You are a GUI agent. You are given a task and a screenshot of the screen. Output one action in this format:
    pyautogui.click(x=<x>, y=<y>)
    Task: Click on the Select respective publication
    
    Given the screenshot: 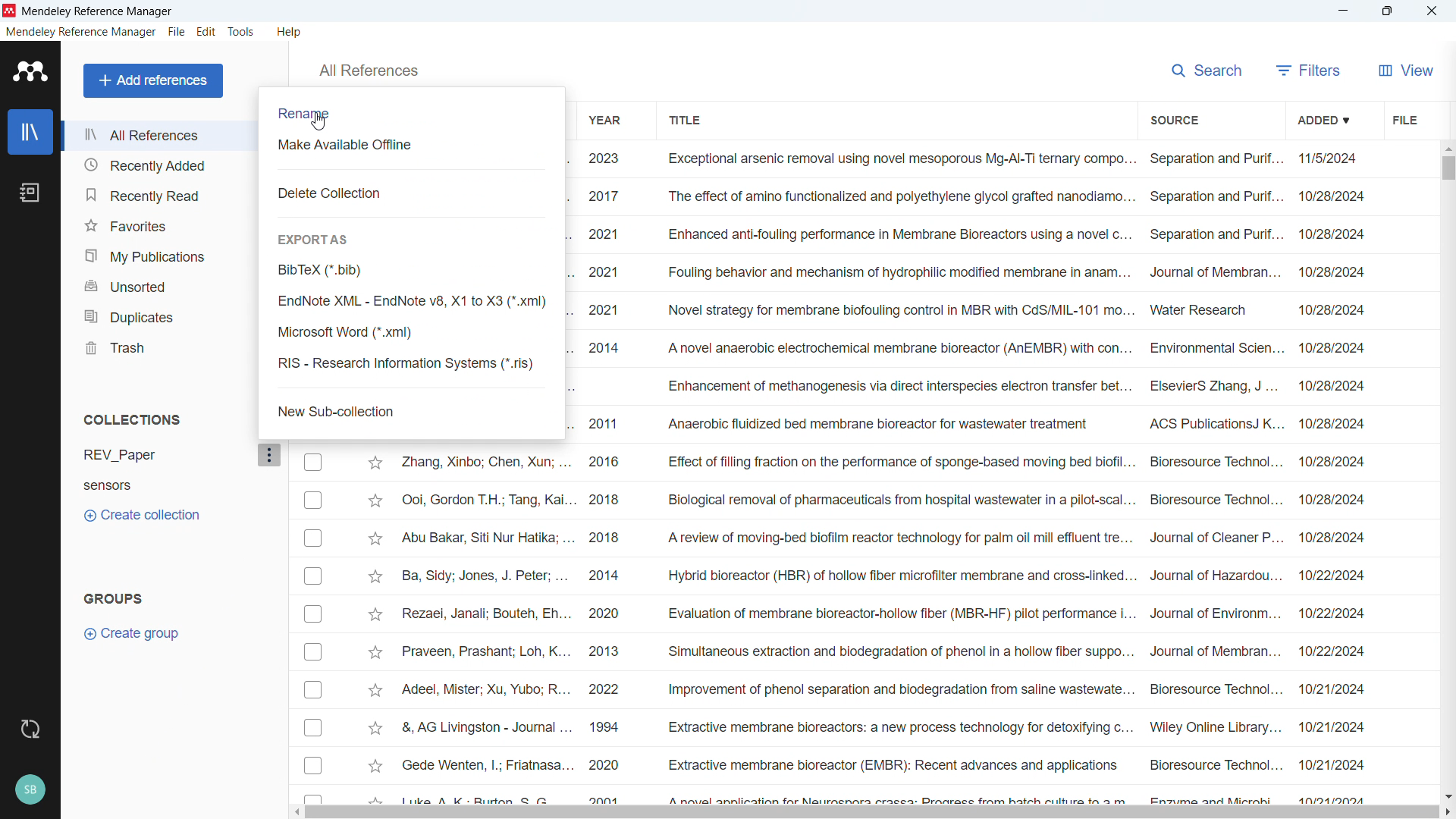 What is the action you would take?
    pyautogui.click(x=313, y=500)
    